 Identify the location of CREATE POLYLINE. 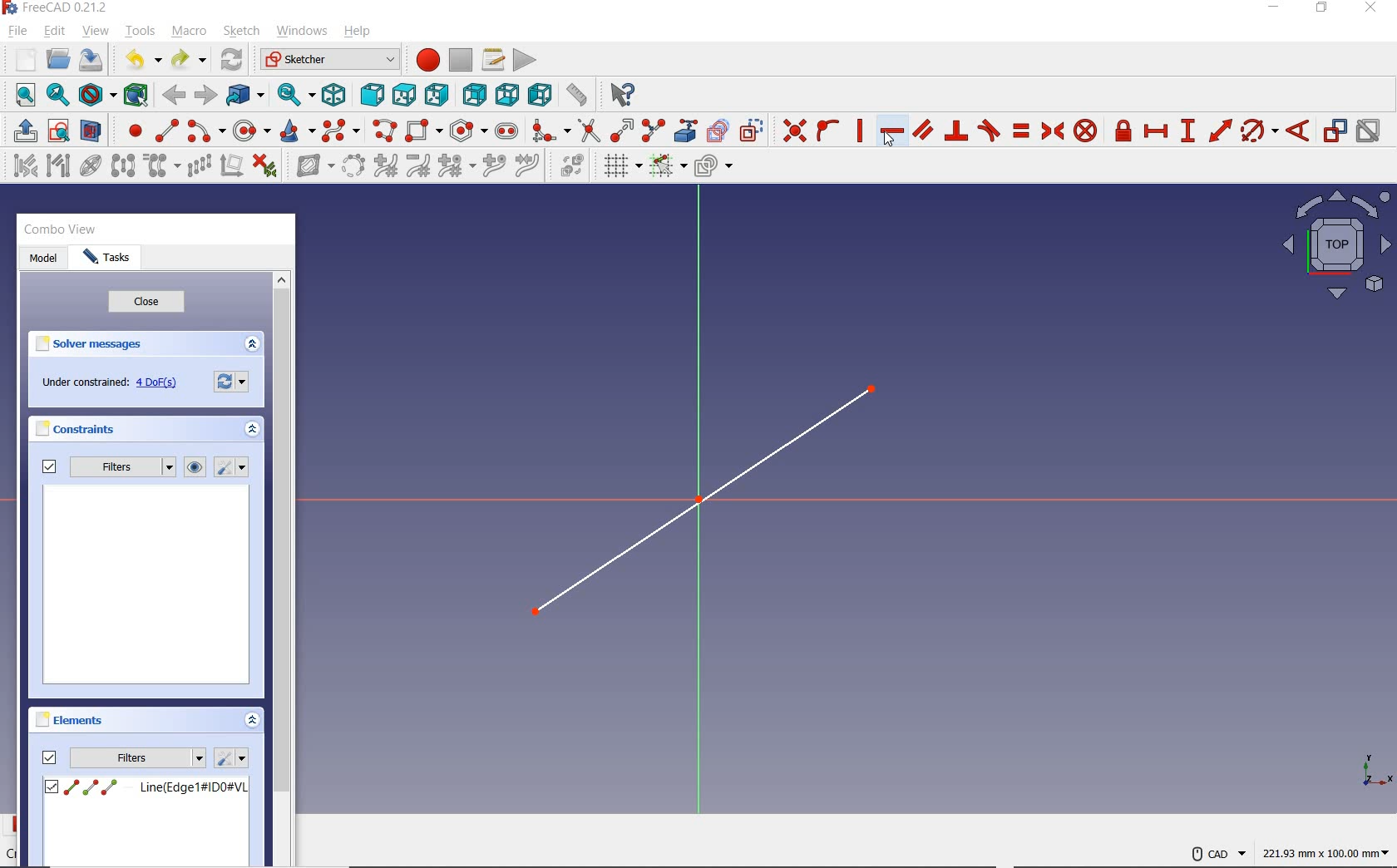
(383, 131).